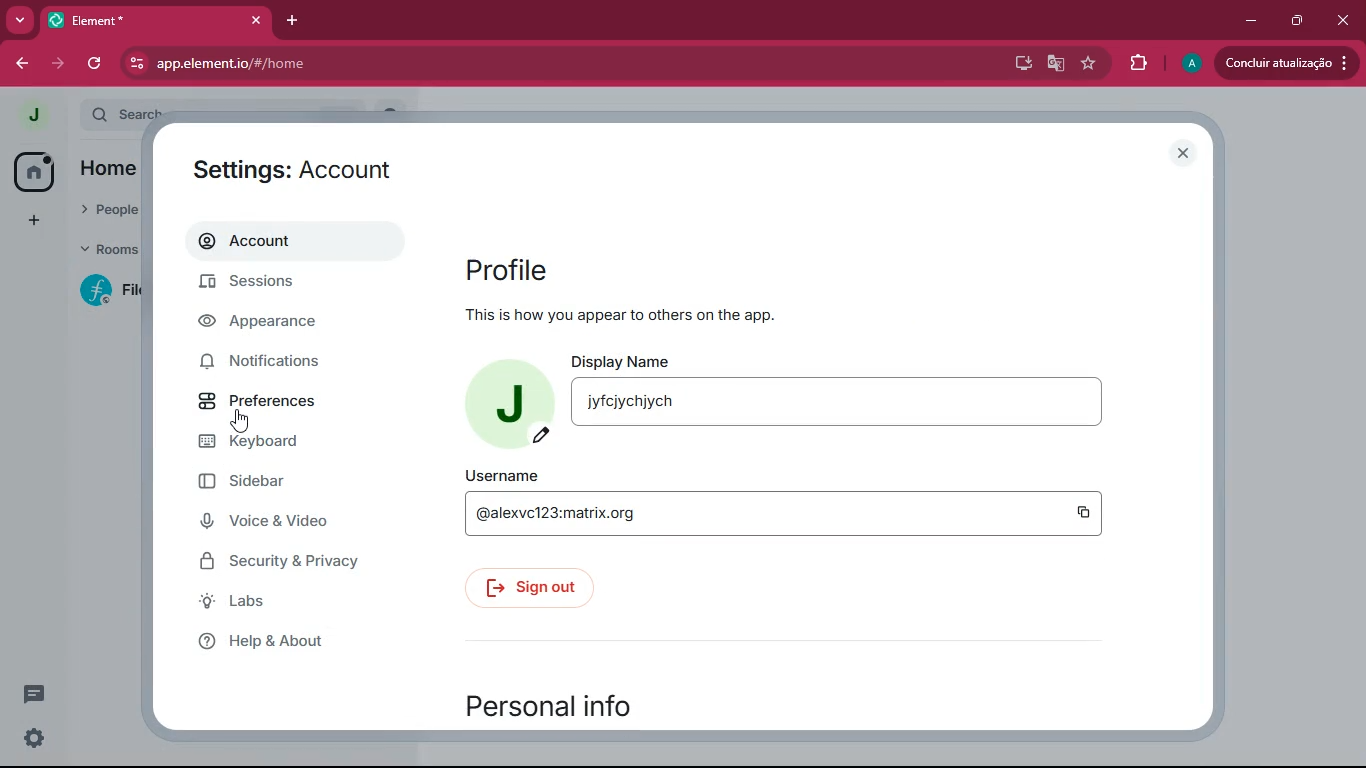  I want to click on update, so click(1286, 61).